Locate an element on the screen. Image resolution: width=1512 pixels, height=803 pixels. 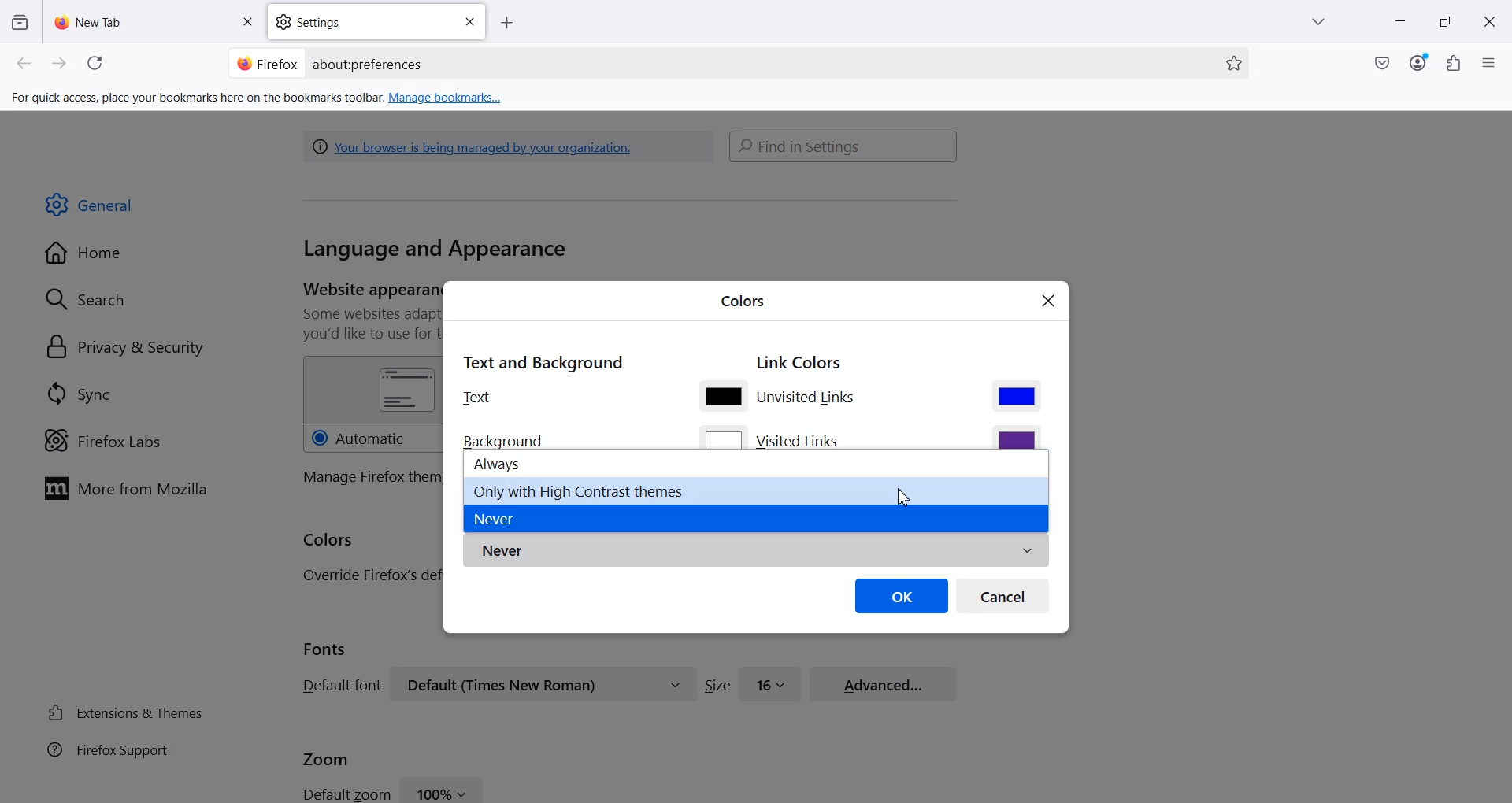
Add New Tab is located at coordinates (507, 24).